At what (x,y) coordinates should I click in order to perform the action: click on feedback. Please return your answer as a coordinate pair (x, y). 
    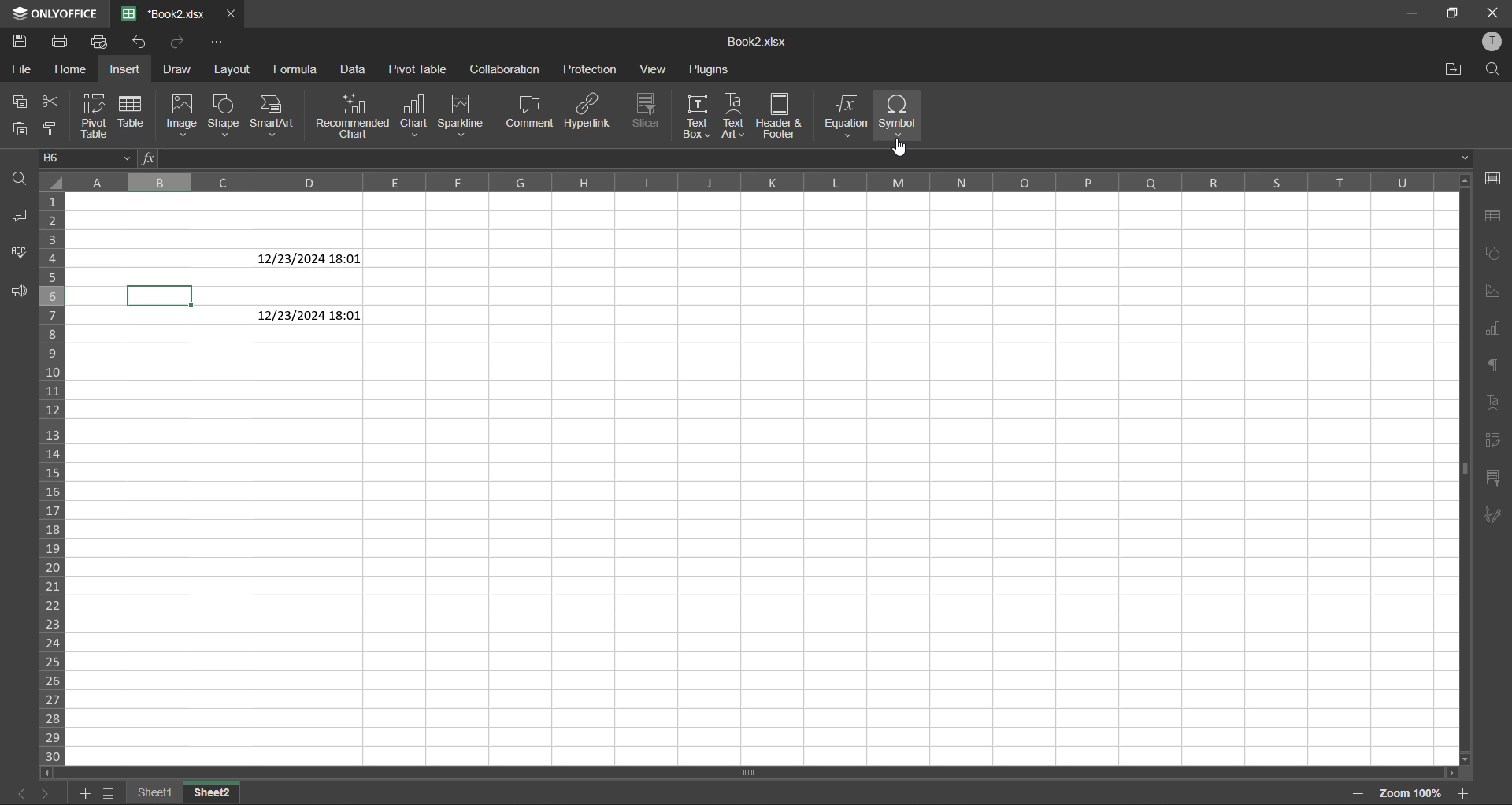
    Looking at the image, I should click on (23, 291).